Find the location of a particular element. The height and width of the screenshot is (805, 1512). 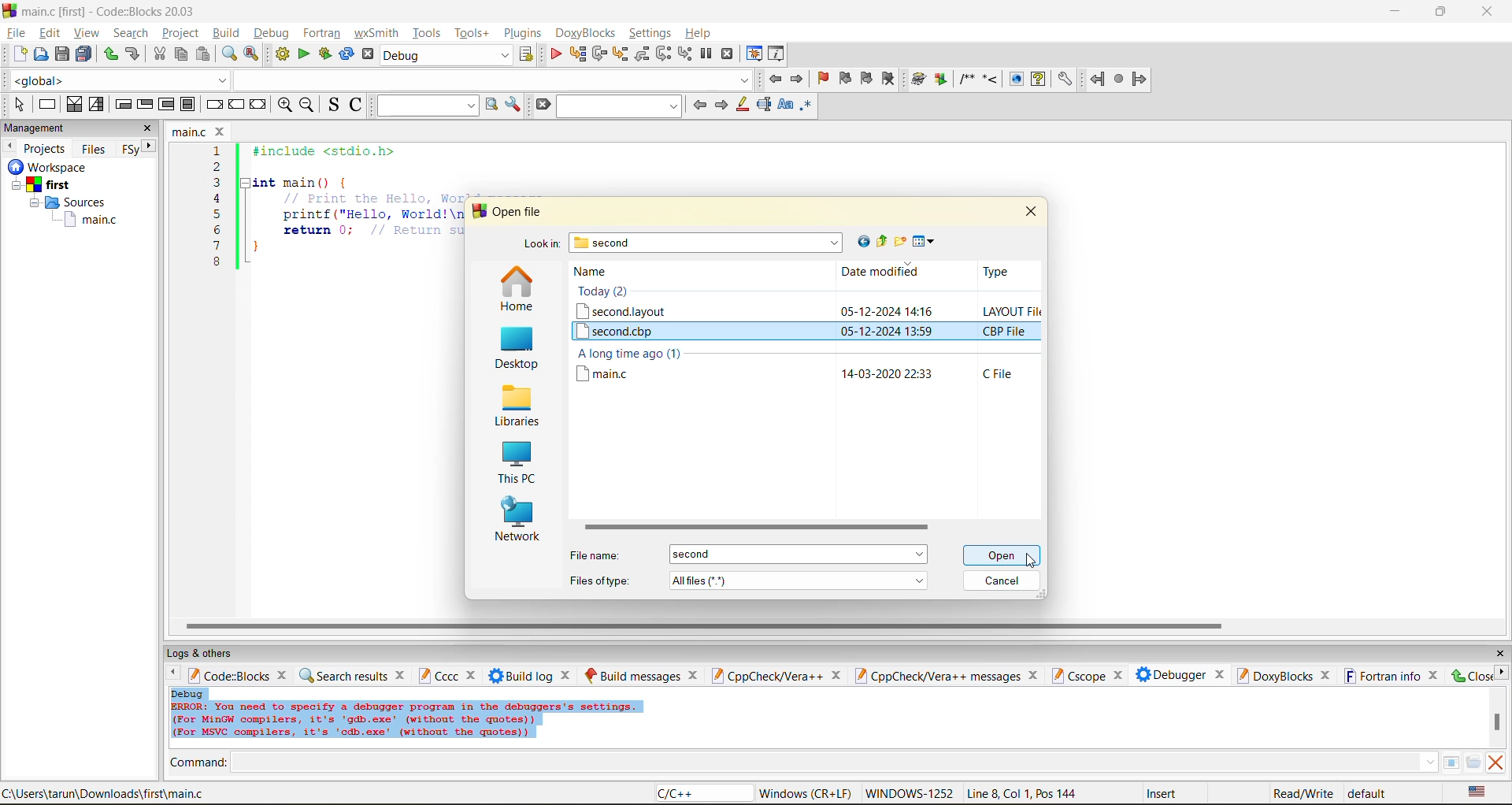

code:blocks is located at coordinates (228, 675).